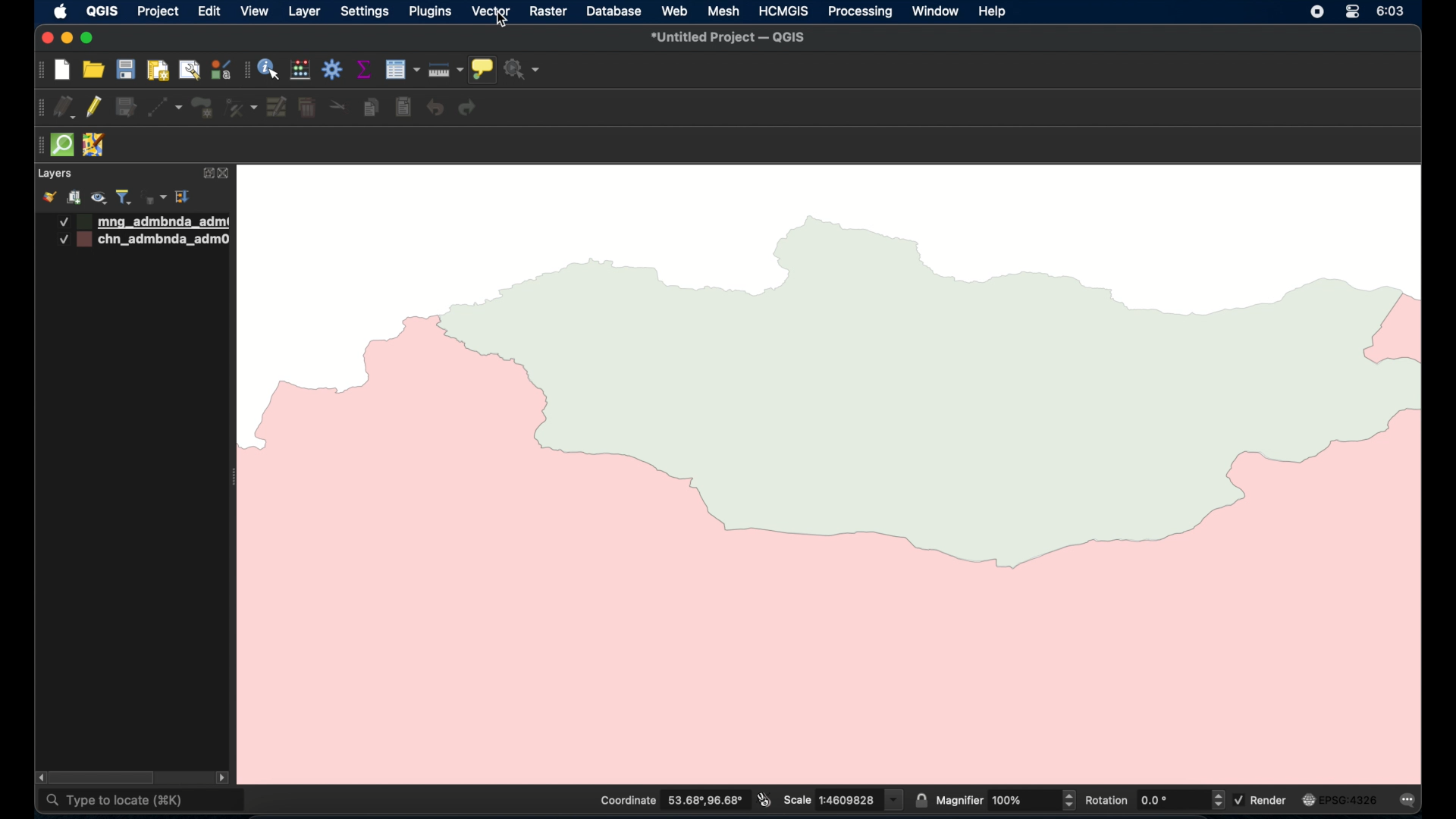 This screenshot has width=1456, height=819. I want to click on control center, so click(1352, 11).